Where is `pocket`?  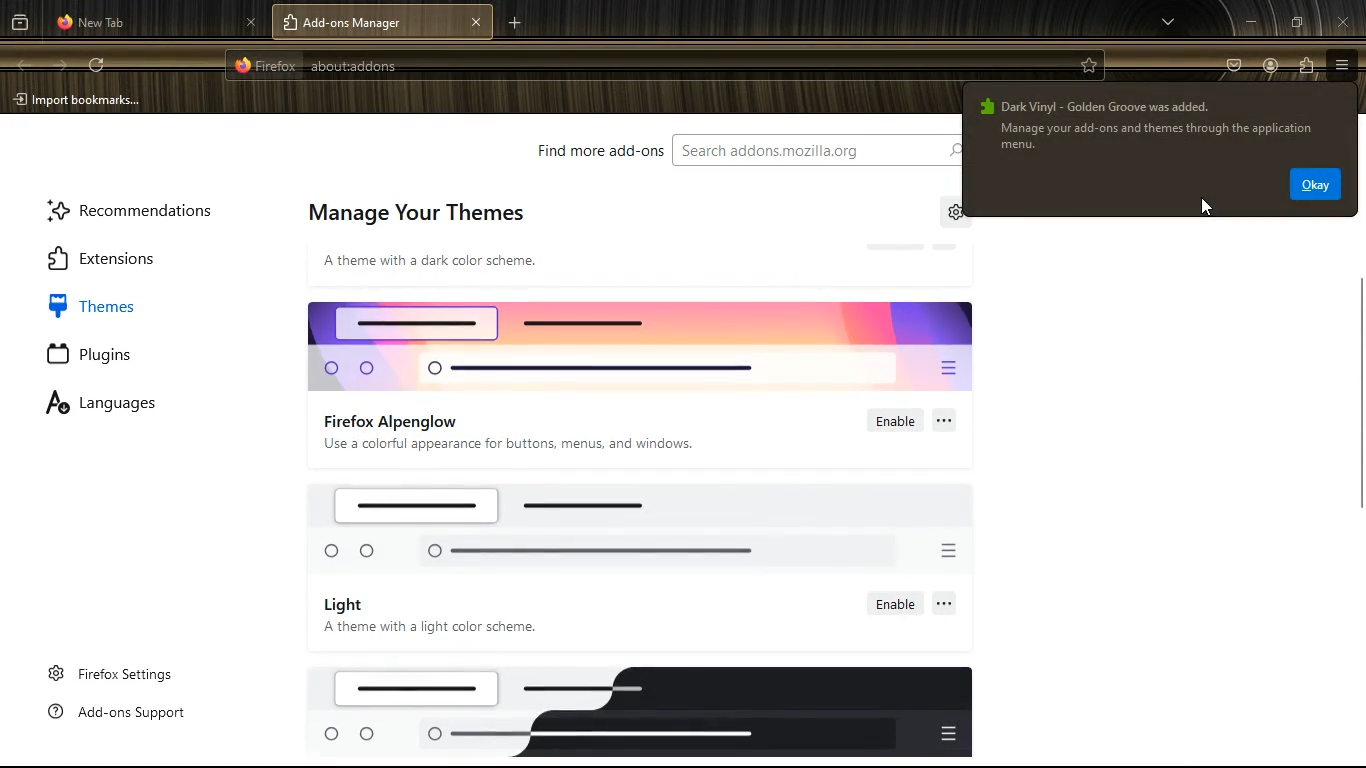 pocket is located at coordinates (1236, 67).